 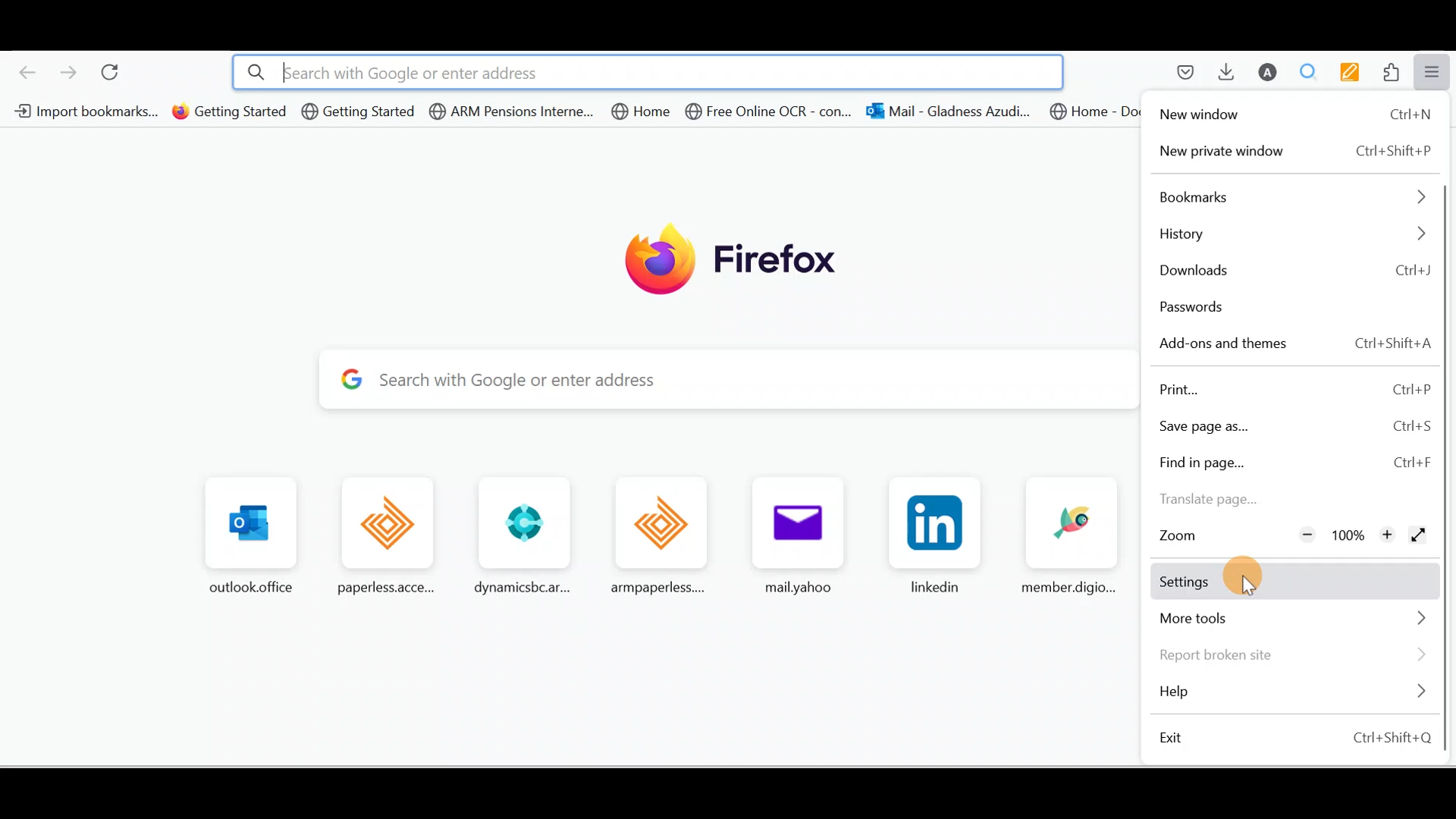 What do you see at coordinates (70, 74) in the screenshot?
I see `Go forward one page` at bounding box center [70, 74].